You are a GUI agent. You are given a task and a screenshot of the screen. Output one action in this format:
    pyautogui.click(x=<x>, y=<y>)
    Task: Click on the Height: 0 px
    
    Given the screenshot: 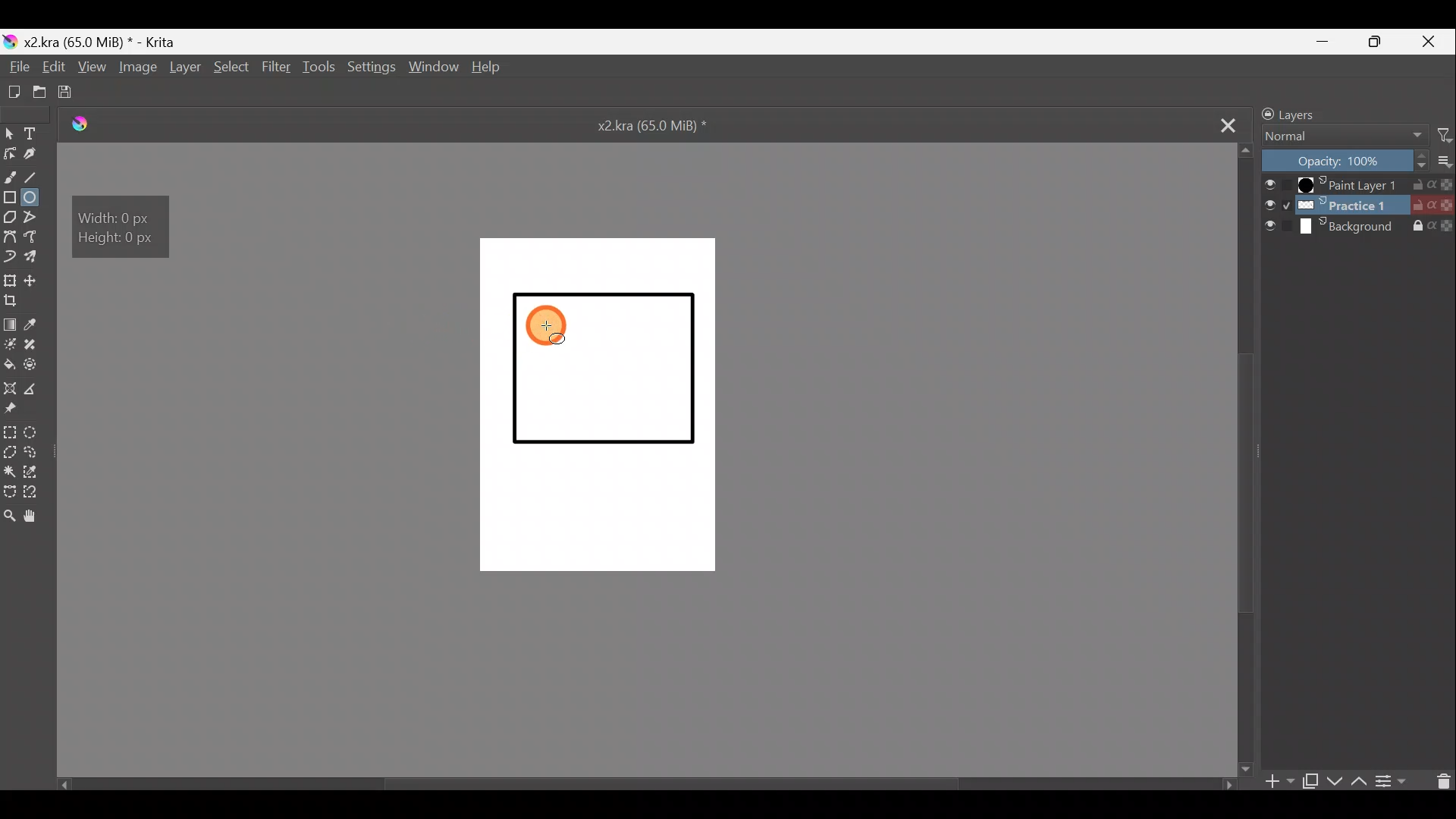 What is the action you would take?
    pyautogui.click(x=118, y=240)
    